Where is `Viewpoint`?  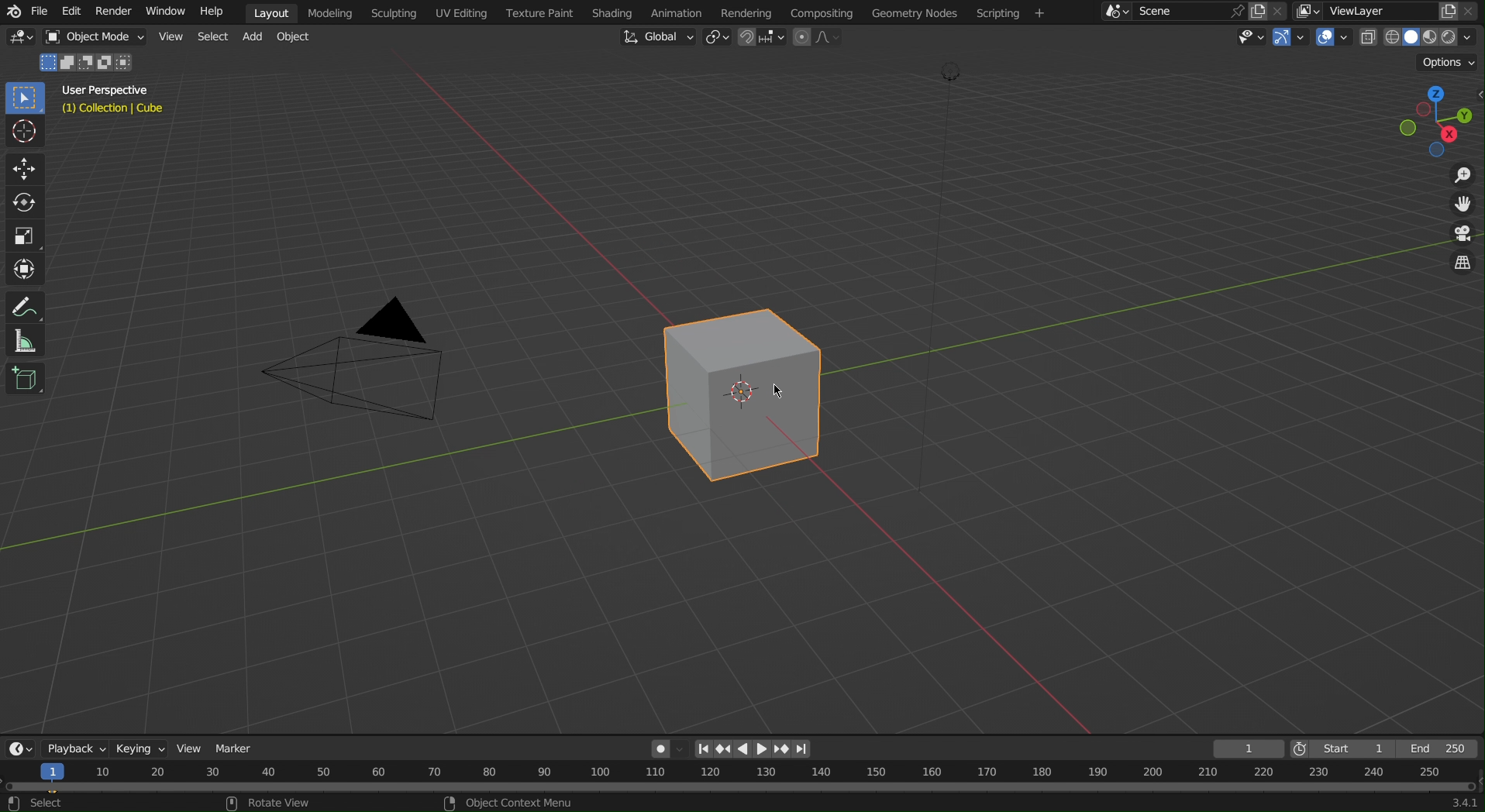
Viewpoint is located at coordinates (1419, 119).